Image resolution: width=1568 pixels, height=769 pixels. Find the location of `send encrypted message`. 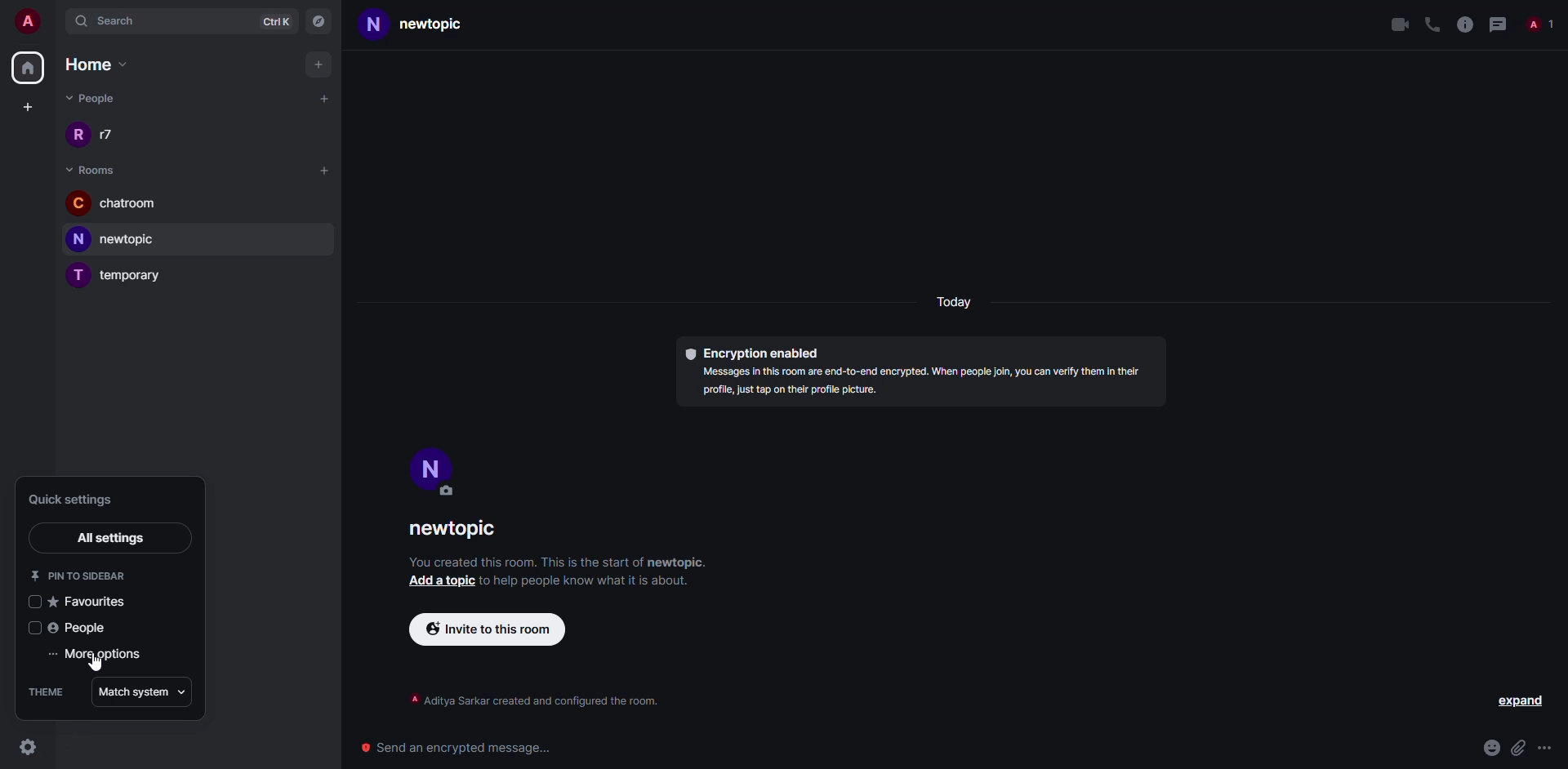

send encrypted message is located at coordinates (461, 746).